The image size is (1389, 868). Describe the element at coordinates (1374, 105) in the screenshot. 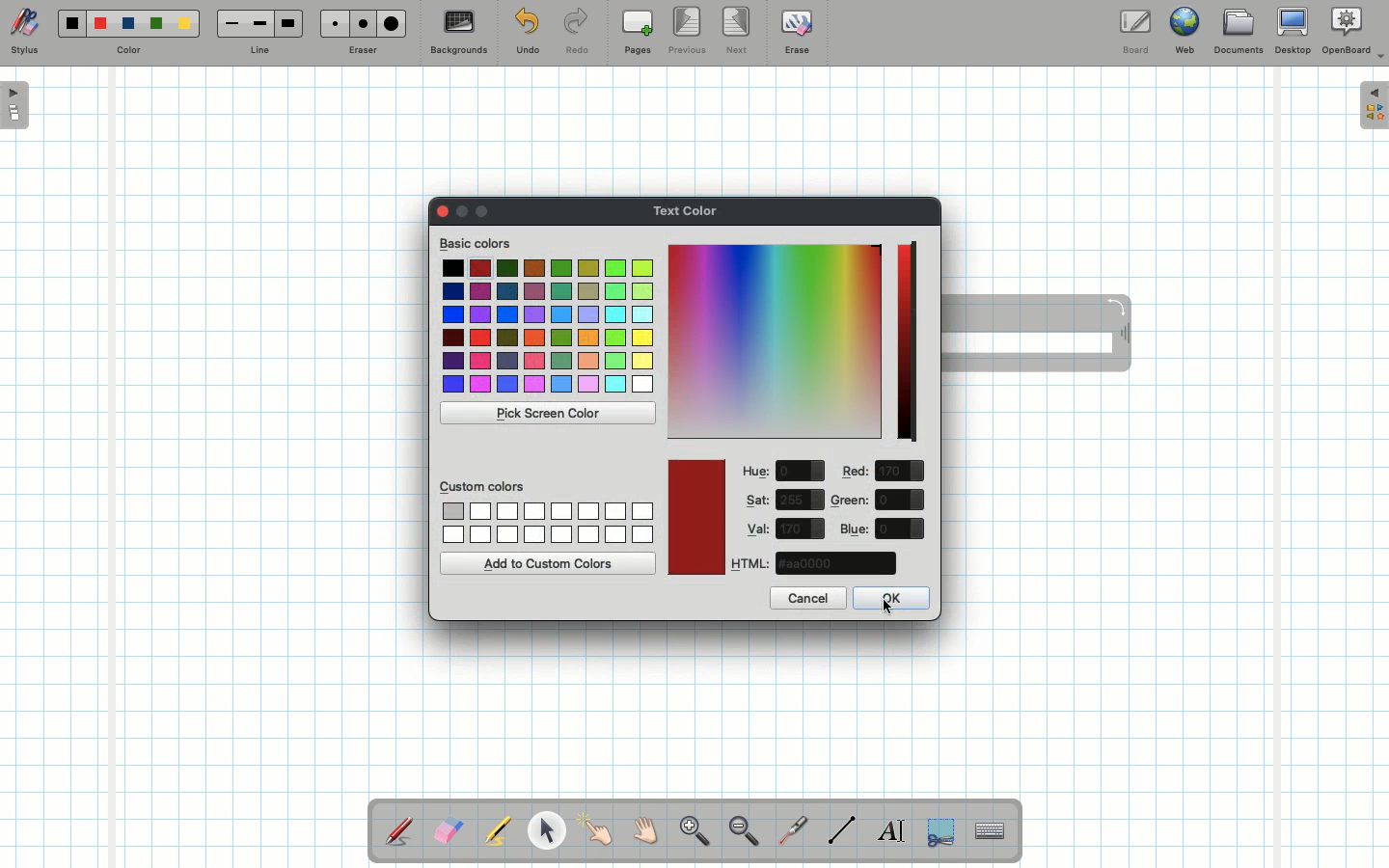

I see `Expand` at that location.